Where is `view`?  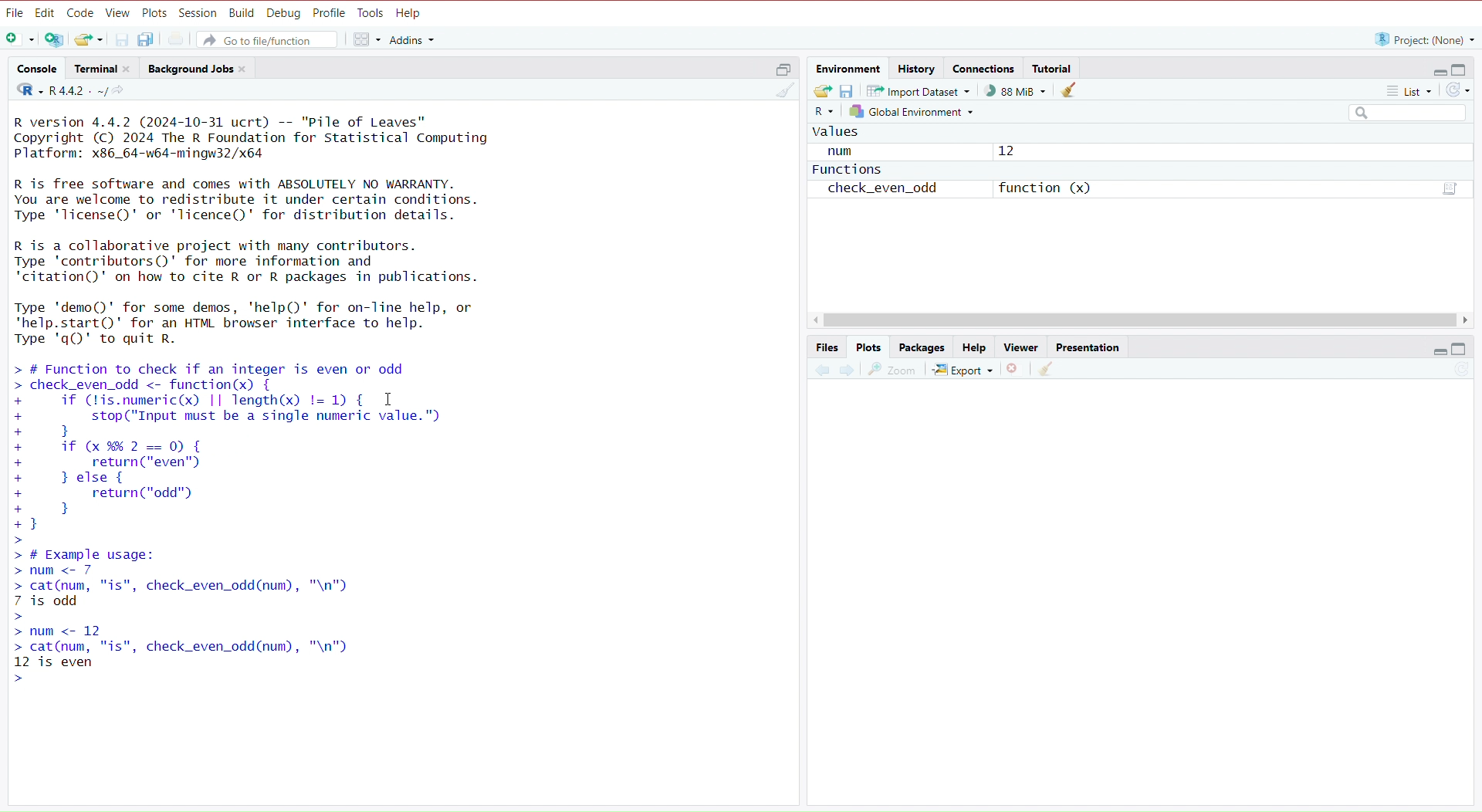
view is located at coordinates (1020, 347).